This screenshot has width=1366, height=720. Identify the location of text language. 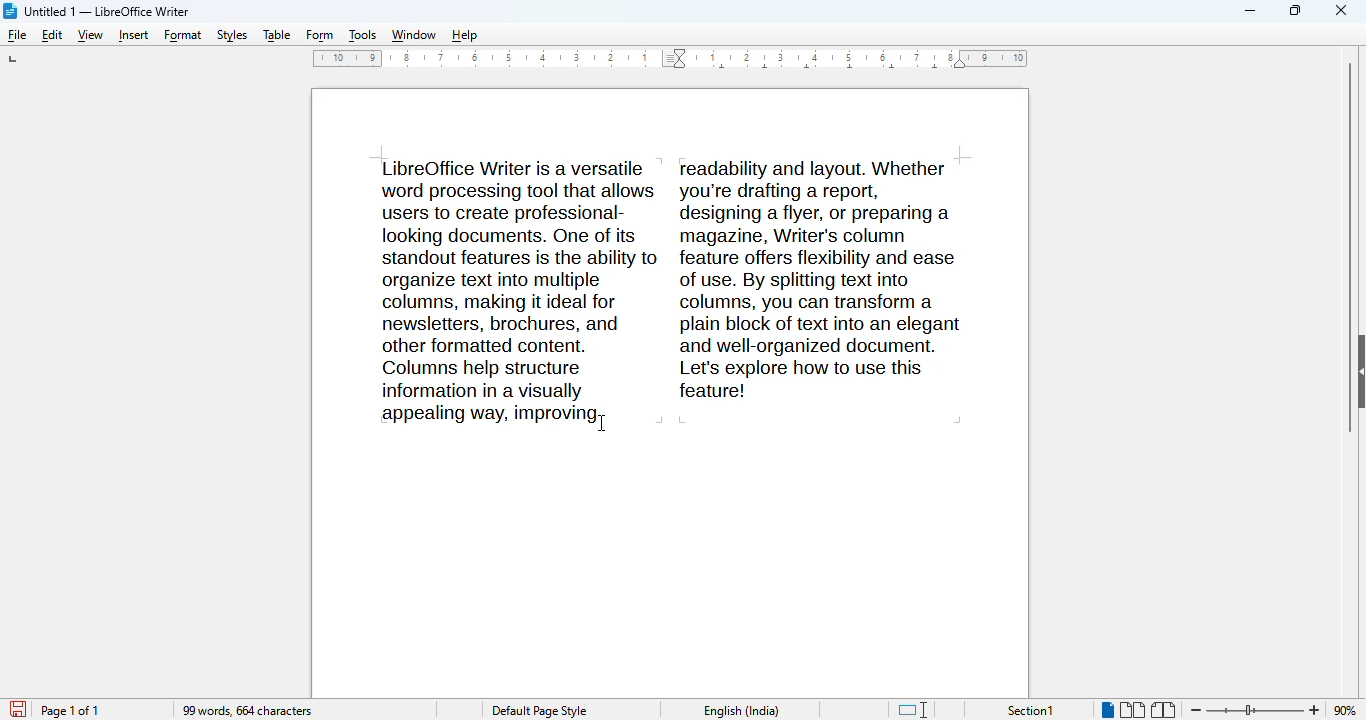
(743, 710).